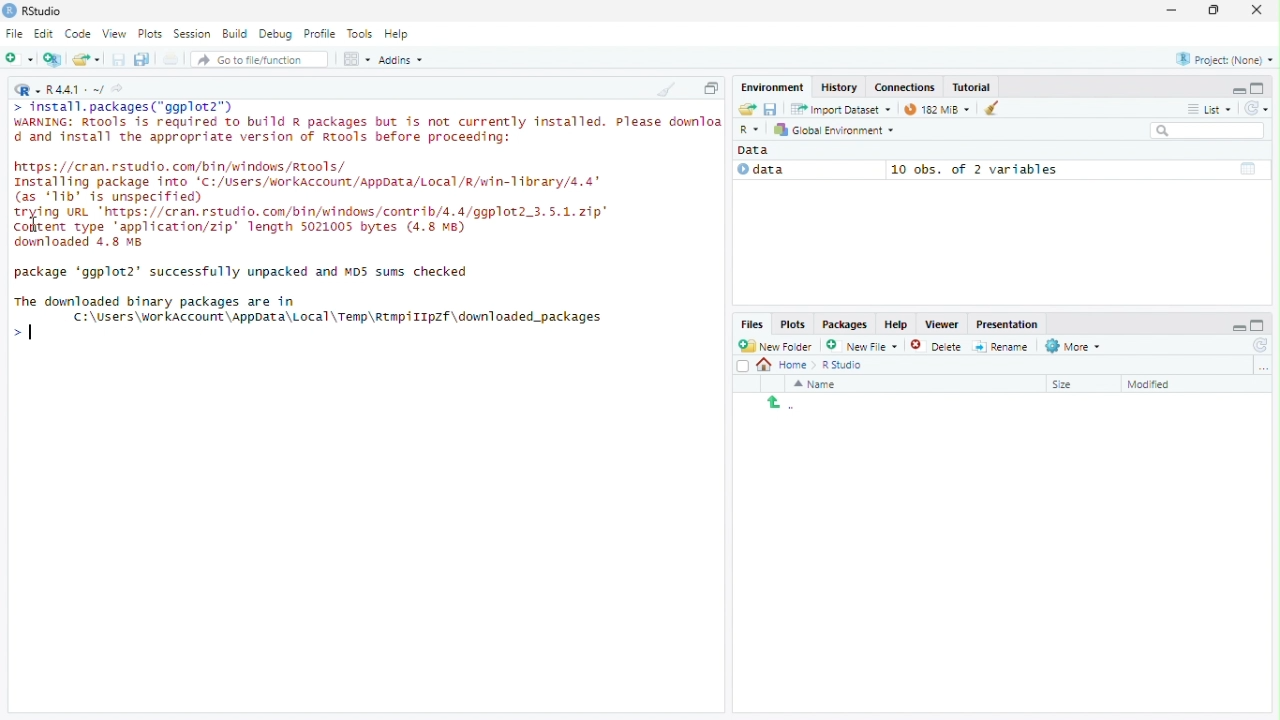 The width and height of the screenshot is (1280, 720). What do you see at coordinates (665, 89) in the screenshot?
I see `Clear console` at bounding box center [665, 89].